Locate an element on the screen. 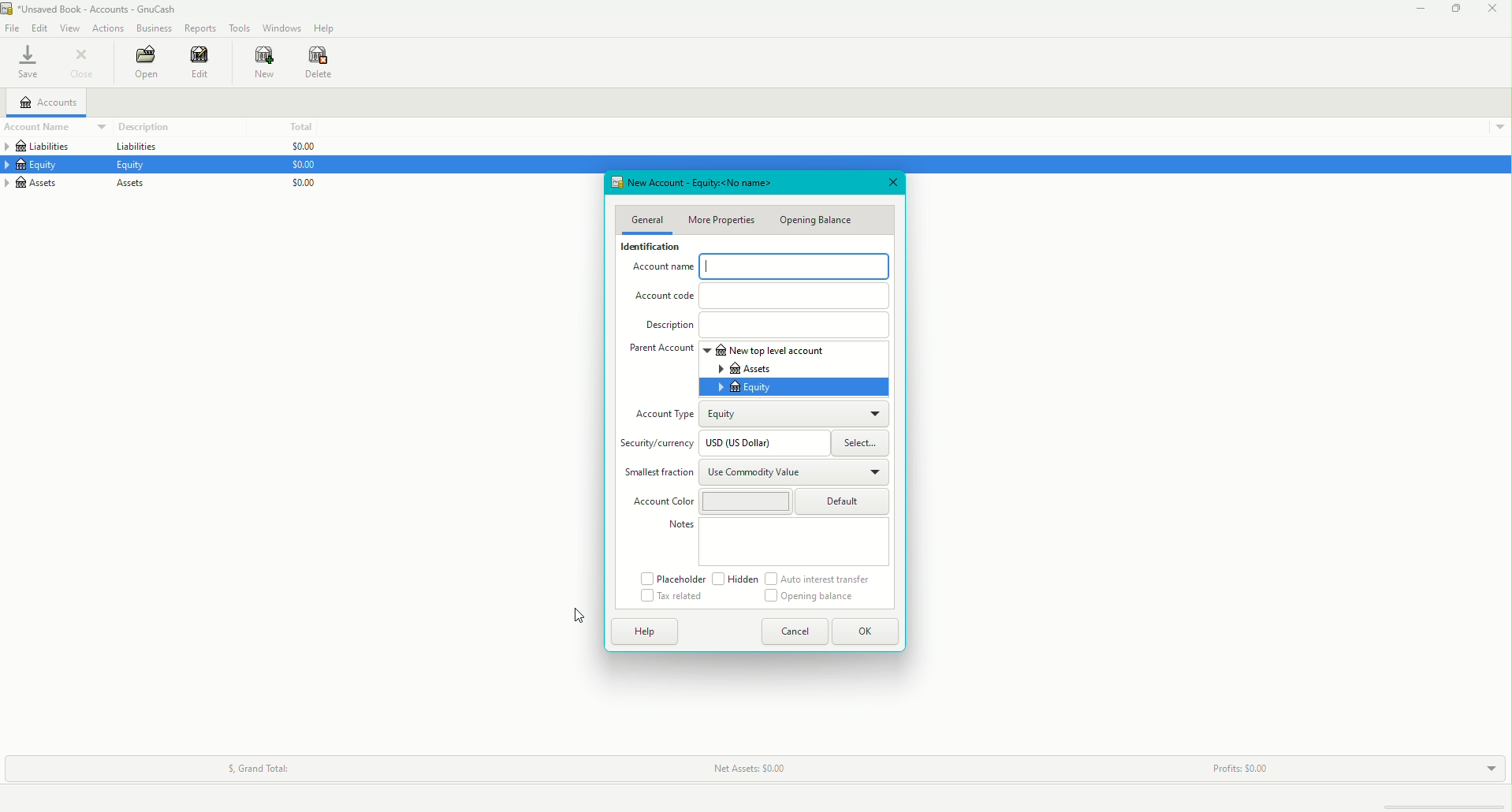  Security/currency is located at coordinates (659, 445).